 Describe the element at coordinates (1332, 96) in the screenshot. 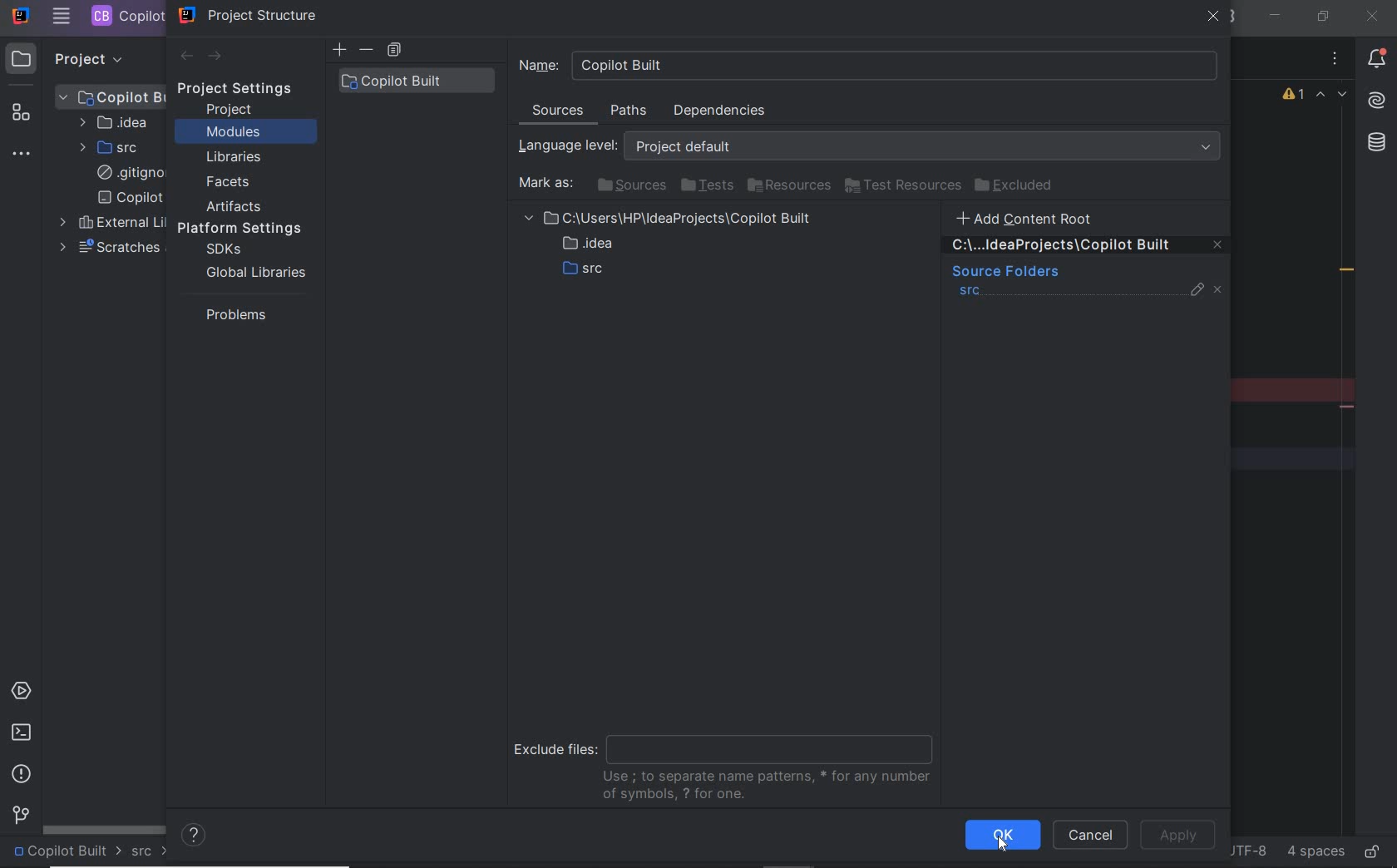

I see `highlighted errors` at that location.